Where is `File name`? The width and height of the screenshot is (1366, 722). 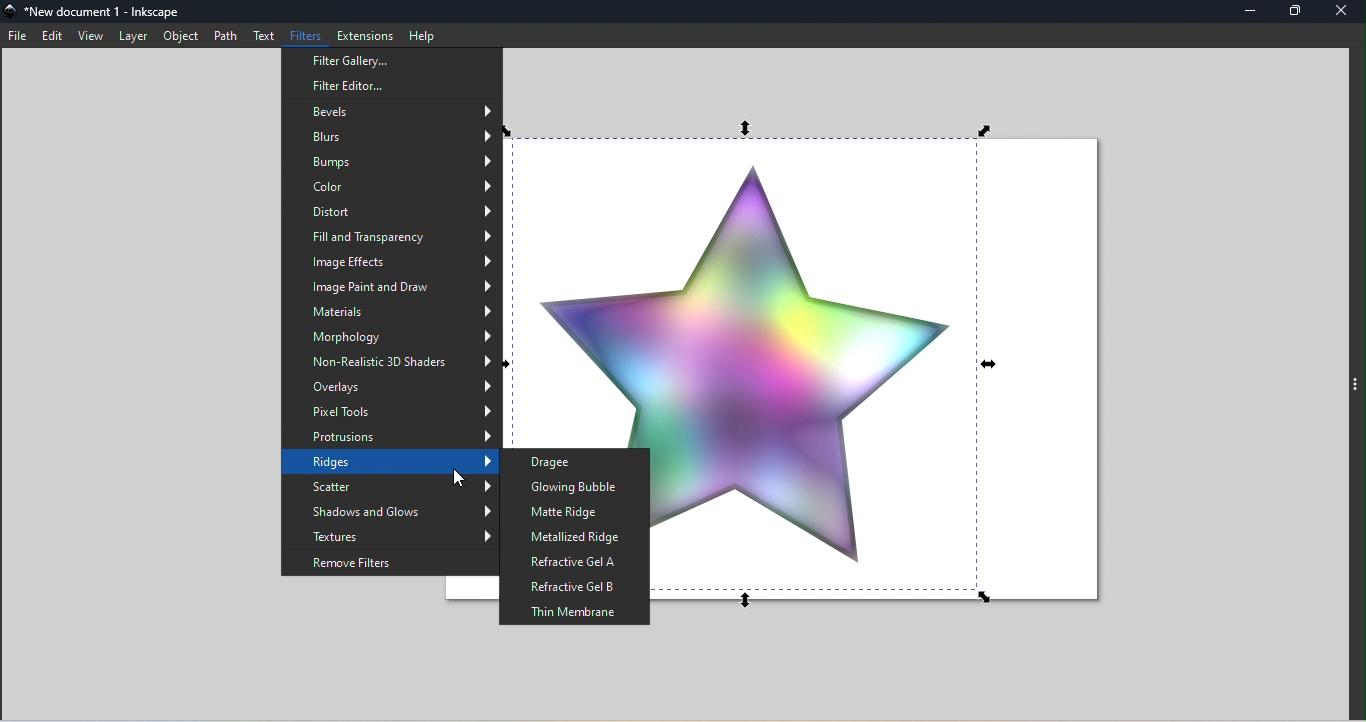
File name is located at coordinates (96, 12).